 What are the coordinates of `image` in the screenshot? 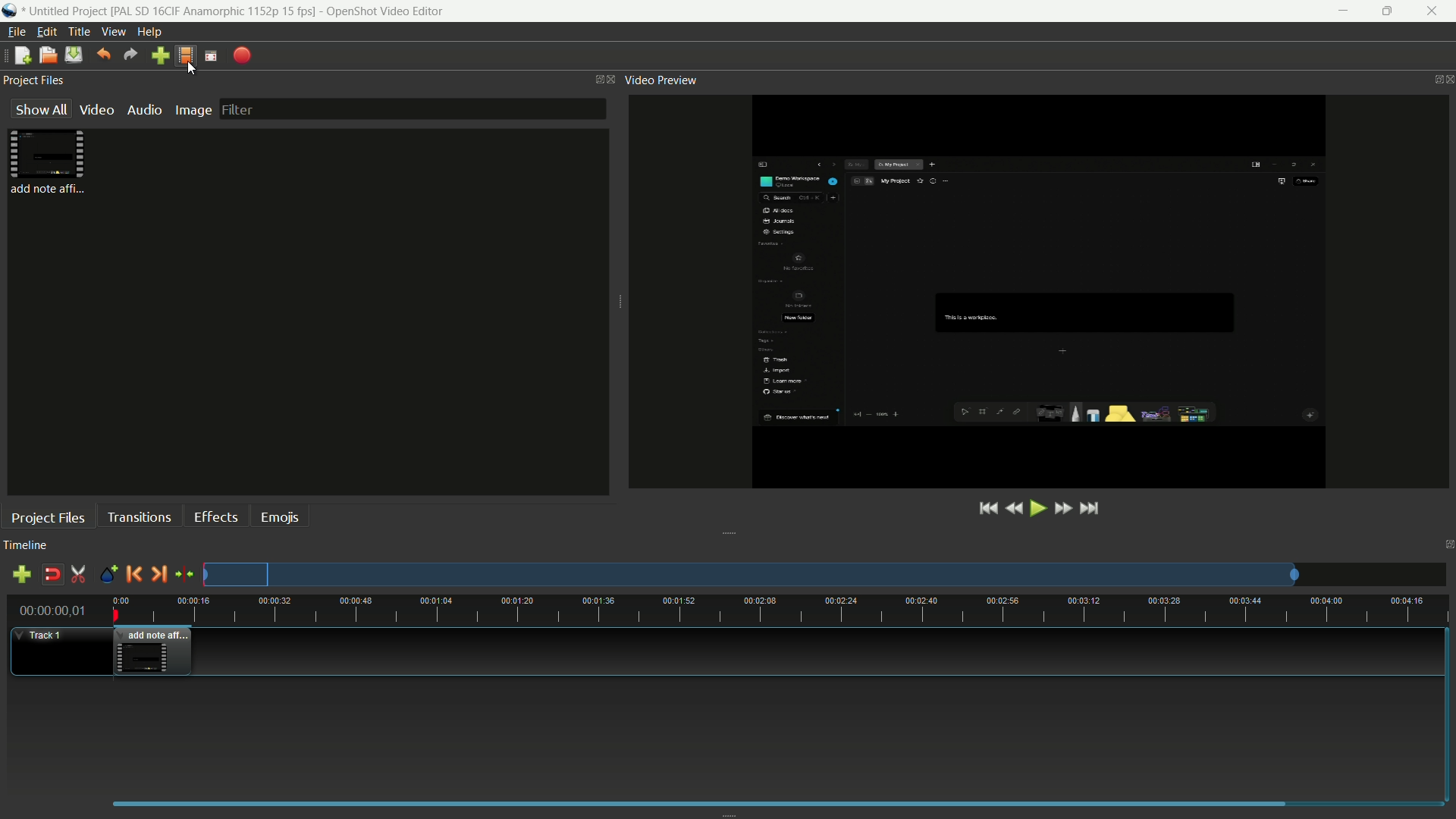 It's located at (190, 111).